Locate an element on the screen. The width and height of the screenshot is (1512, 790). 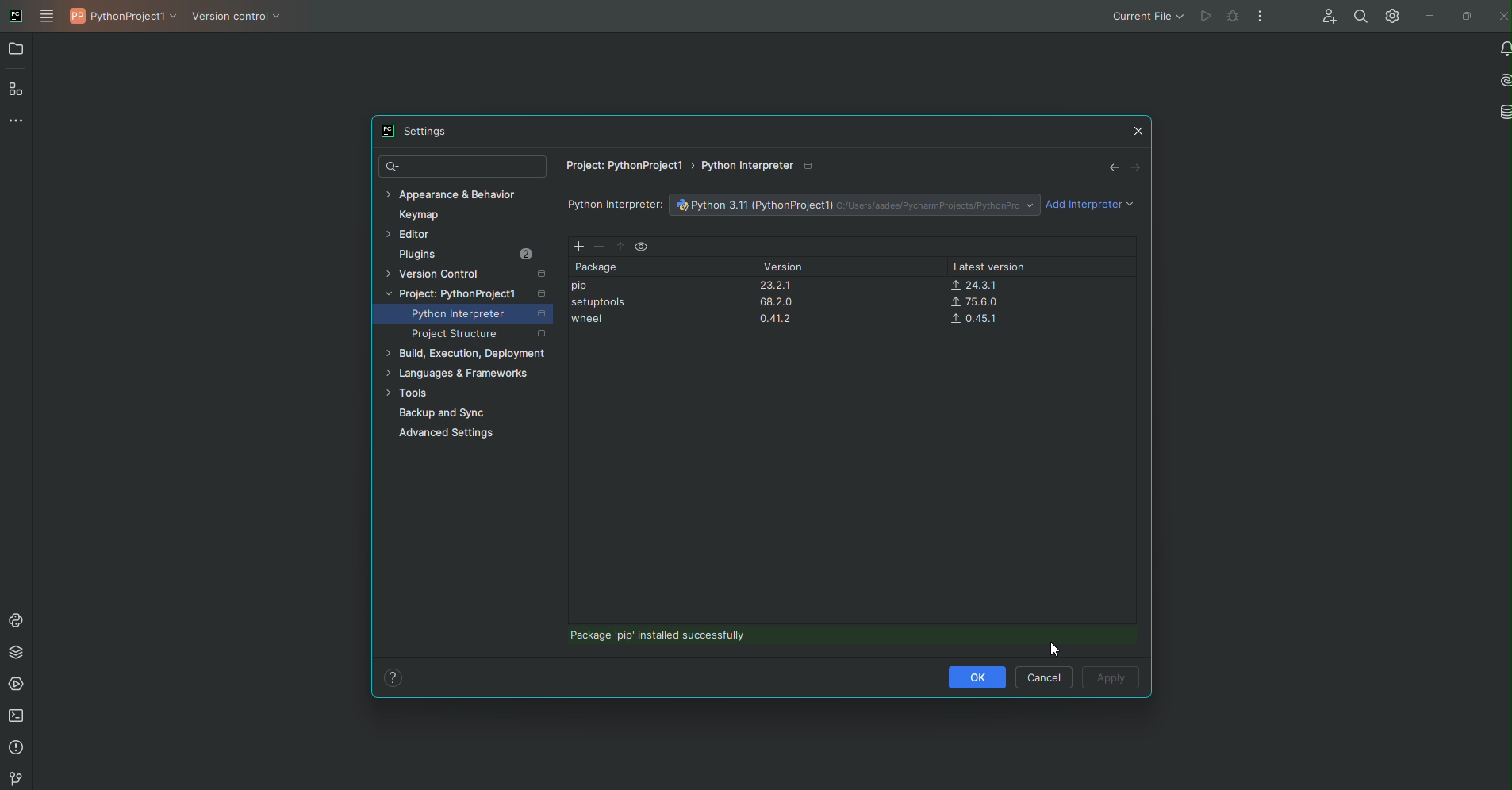
Project is located at coordinates (469, 292).